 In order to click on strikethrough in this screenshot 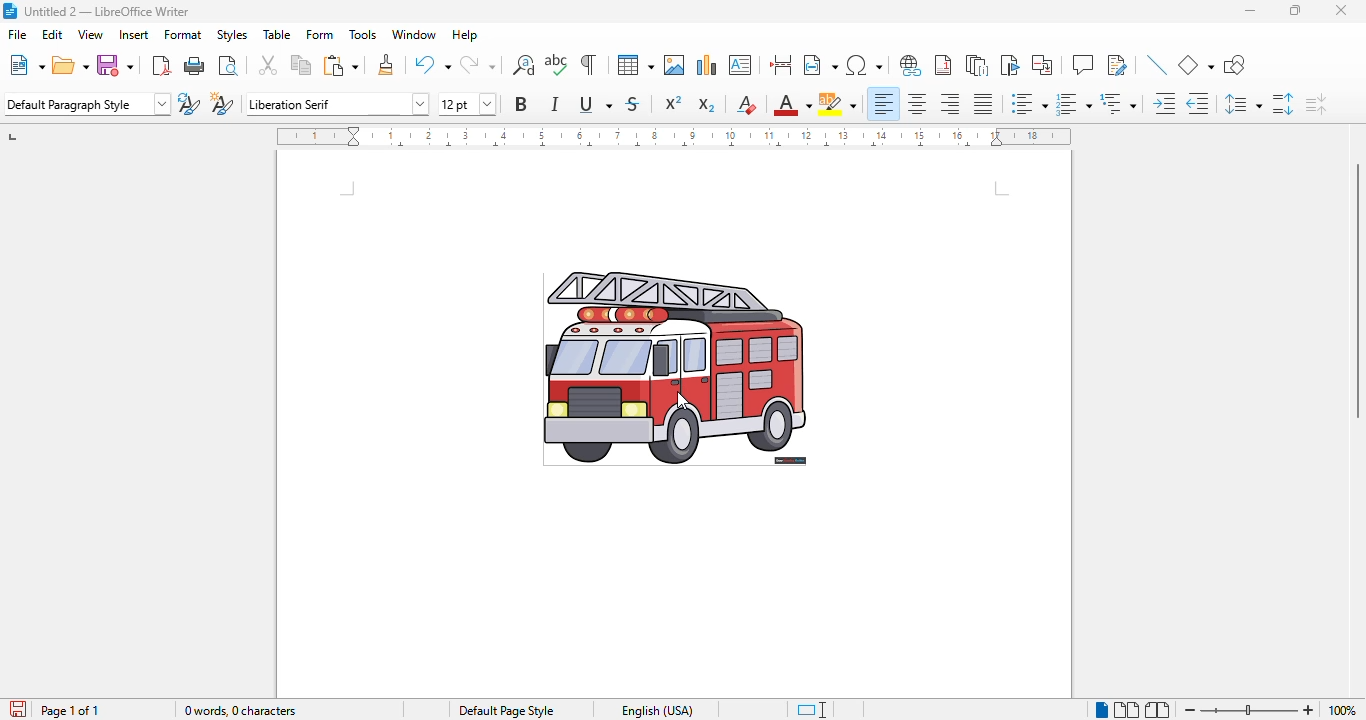, I will do `click(633, 103)`.